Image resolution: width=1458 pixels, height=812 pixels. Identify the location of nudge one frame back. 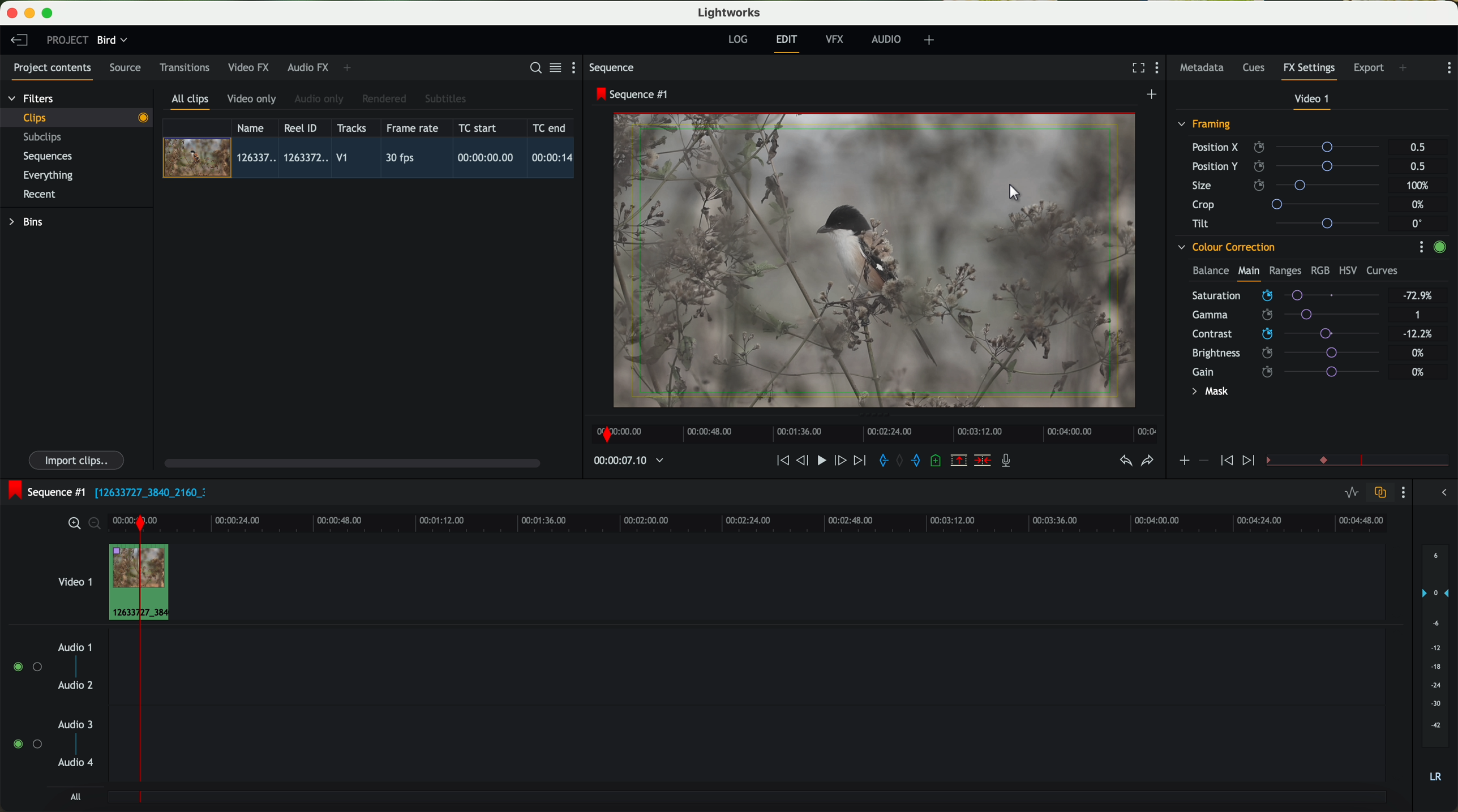
(804, 462).